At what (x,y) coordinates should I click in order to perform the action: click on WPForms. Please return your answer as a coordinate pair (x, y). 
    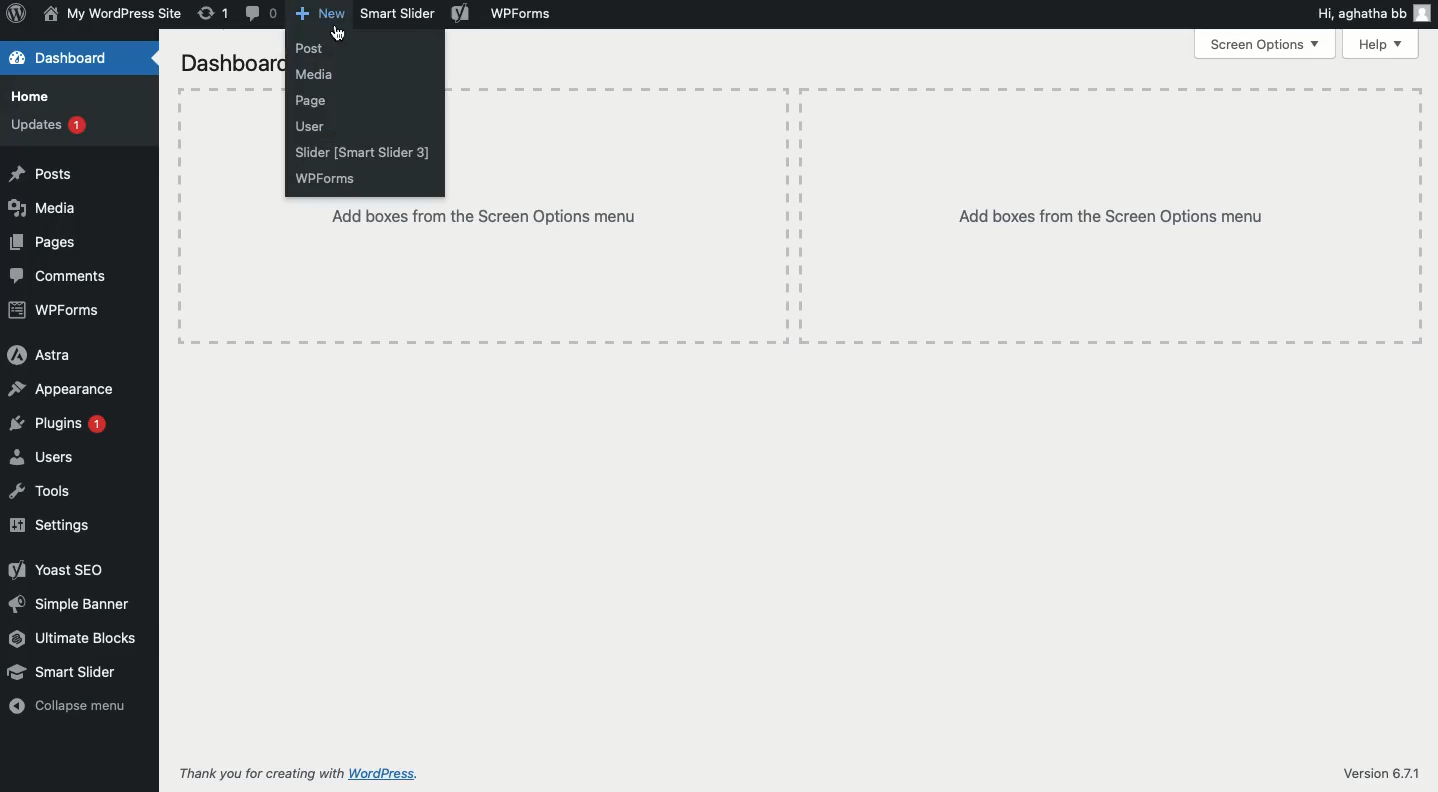
    Looking at the image, I should click on (323, 179).